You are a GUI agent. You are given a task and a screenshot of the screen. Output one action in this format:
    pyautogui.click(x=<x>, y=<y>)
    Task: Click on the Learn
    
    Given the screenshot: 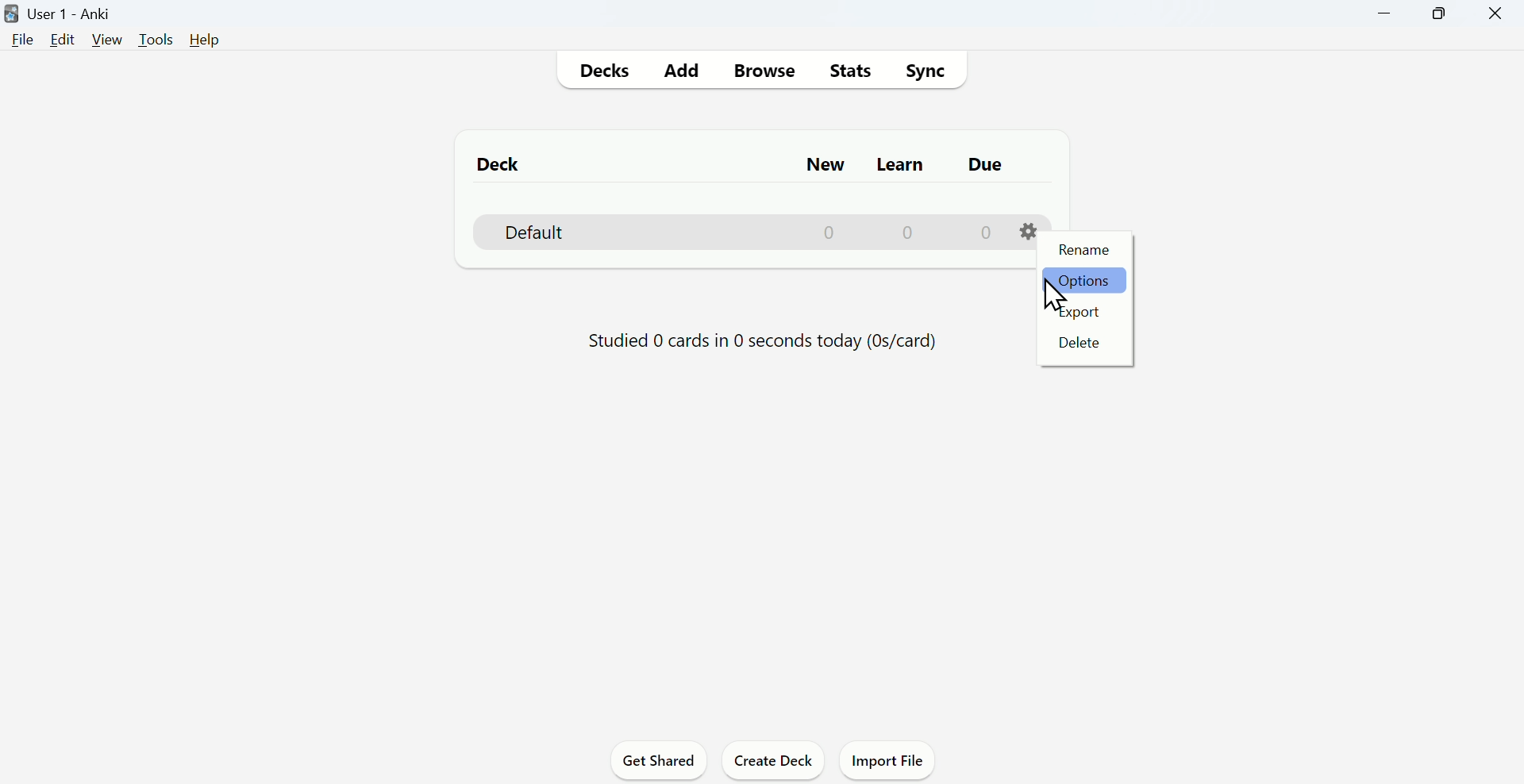 What is the action you would take?
    pyautogui.click(x=900, y=164)
    